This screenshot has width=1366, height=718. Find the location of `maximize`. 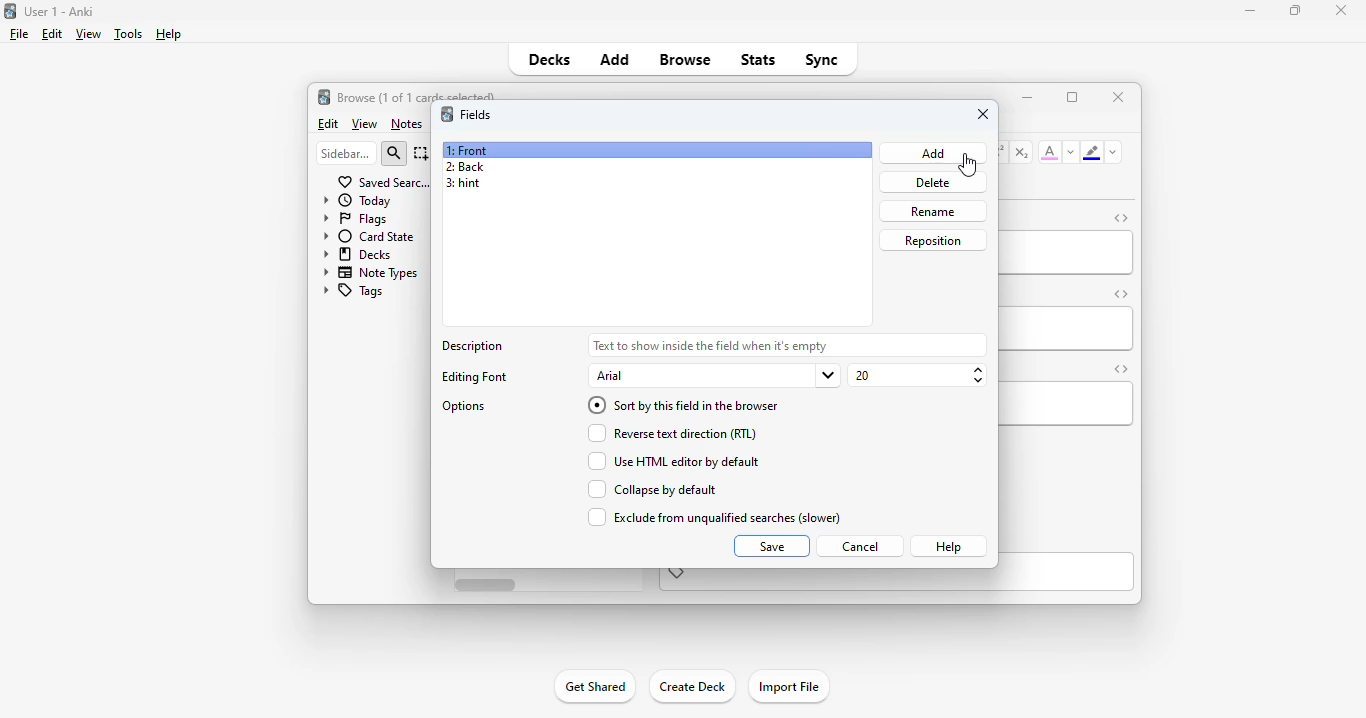

maximize is located at coordinates (1295, 9).